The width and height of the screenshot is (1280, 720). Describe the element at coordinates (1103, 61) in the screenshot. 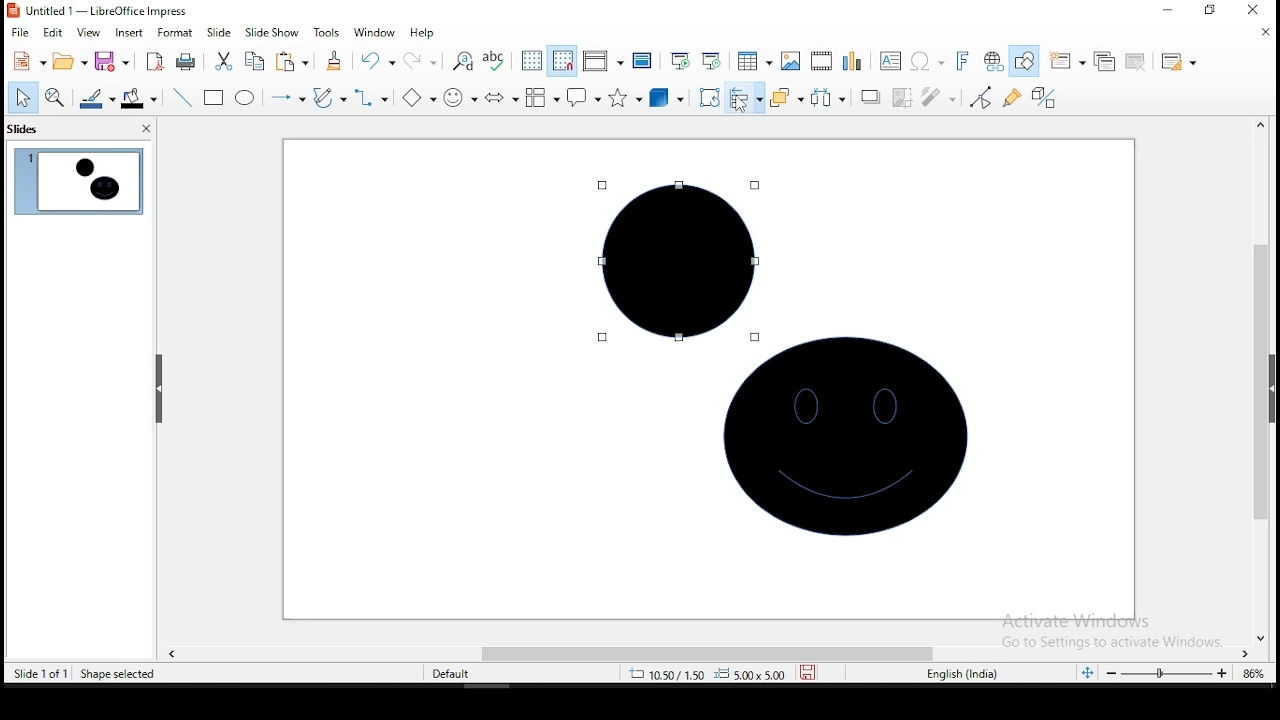

I see `duplicate slide` at that location.